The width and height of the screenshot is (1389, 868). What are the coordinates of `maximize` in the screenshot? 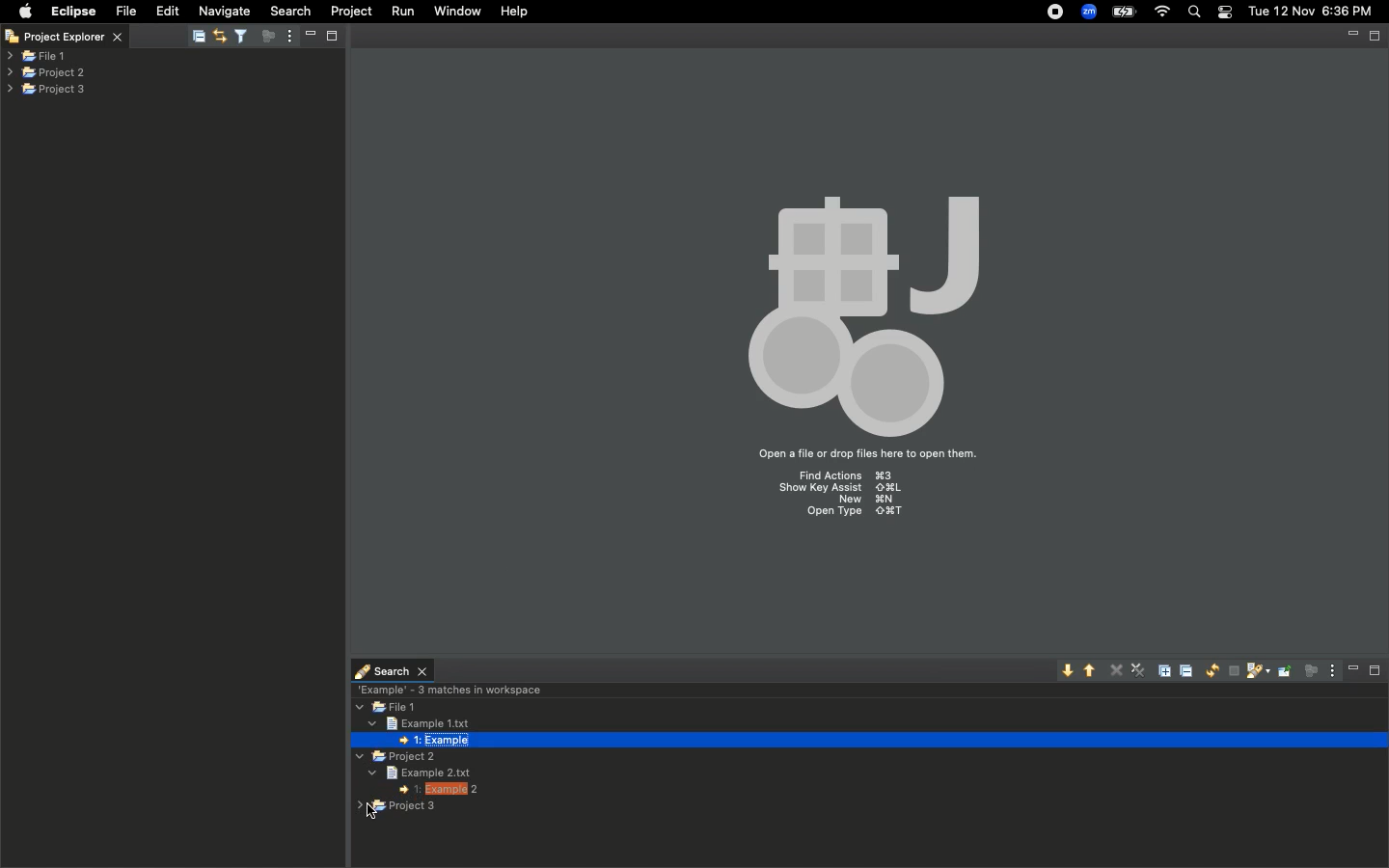 It's located at (334, 35).